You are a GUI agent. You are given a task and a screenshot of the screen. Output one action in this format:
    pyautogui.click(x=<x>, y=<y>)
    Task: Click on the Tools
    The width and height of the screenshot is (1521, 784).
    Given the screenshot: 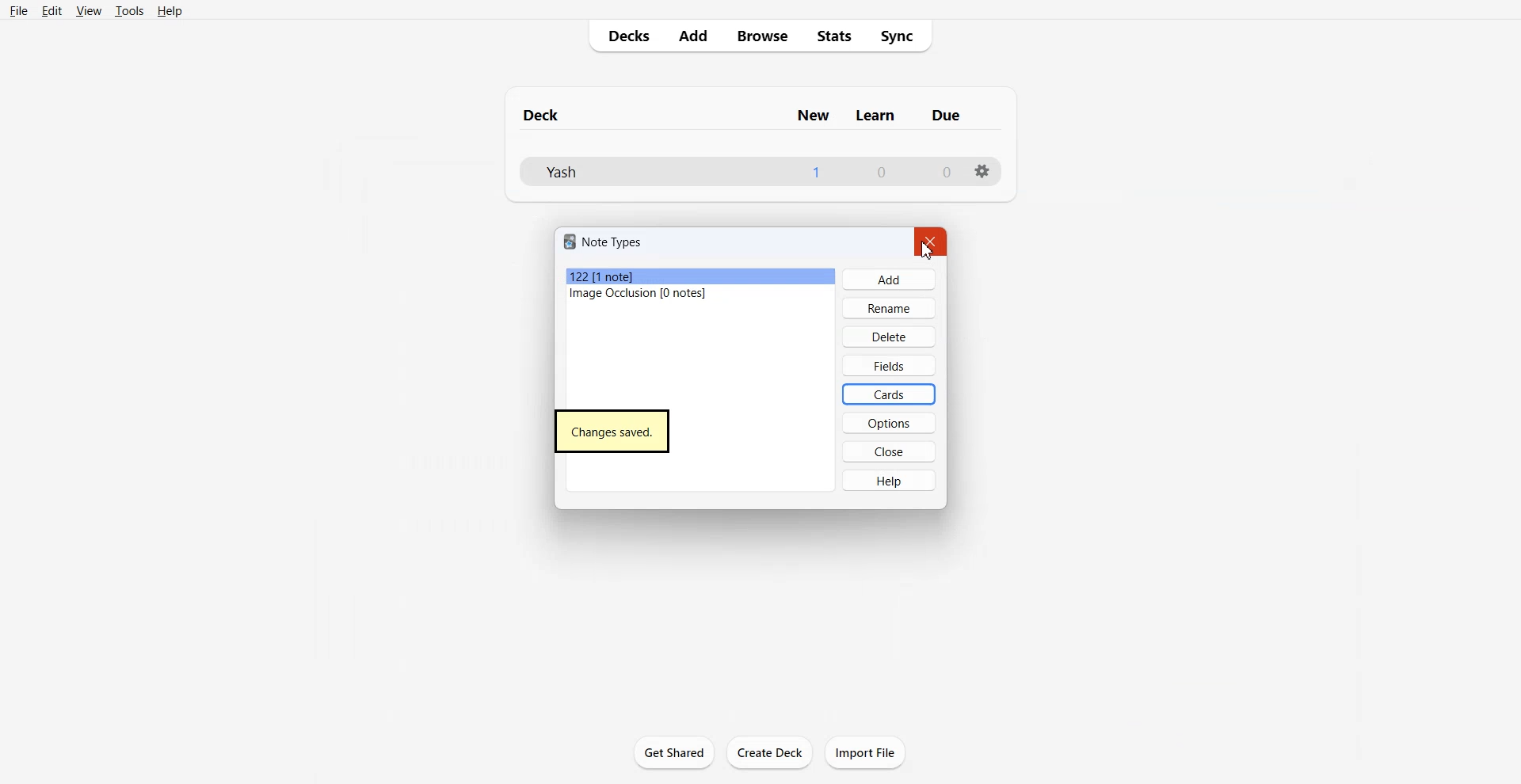 What is the action you would take?
    pyautogui.click(x=130, y=10)
    